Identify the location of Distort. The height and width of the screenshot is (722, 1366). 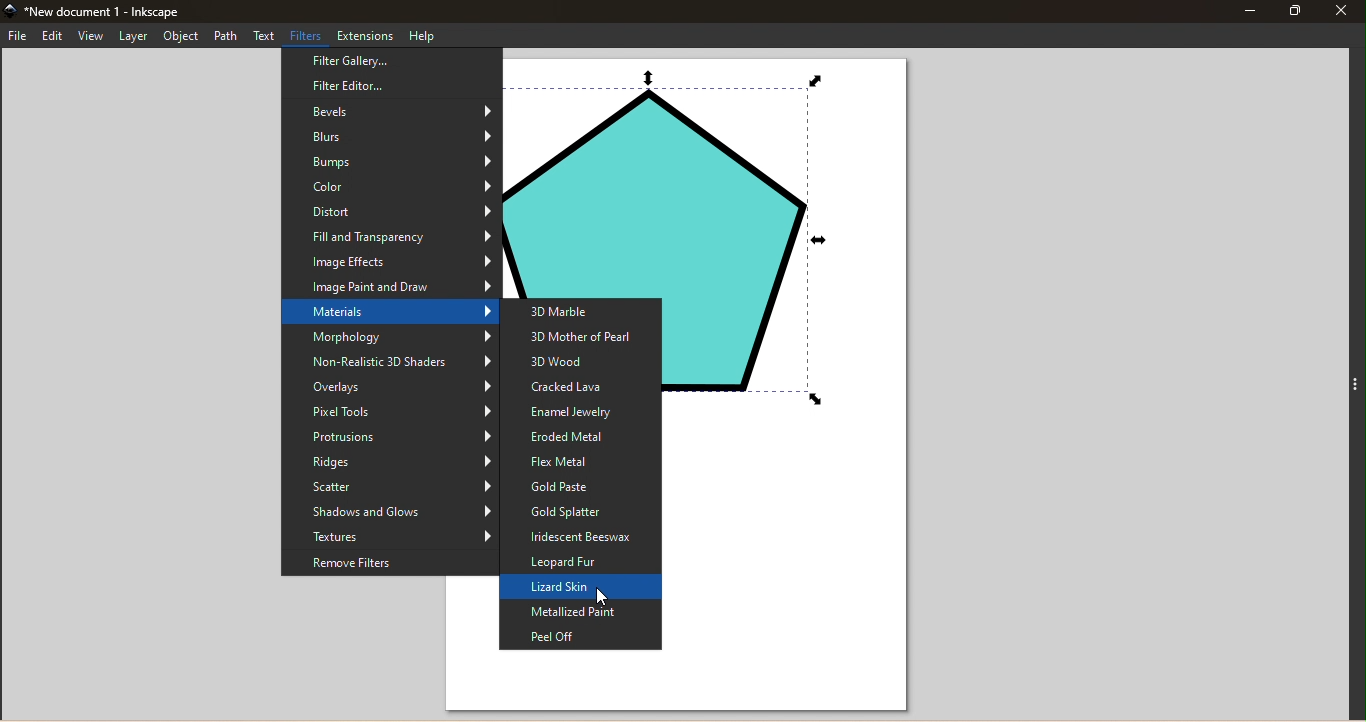
(389, 212).